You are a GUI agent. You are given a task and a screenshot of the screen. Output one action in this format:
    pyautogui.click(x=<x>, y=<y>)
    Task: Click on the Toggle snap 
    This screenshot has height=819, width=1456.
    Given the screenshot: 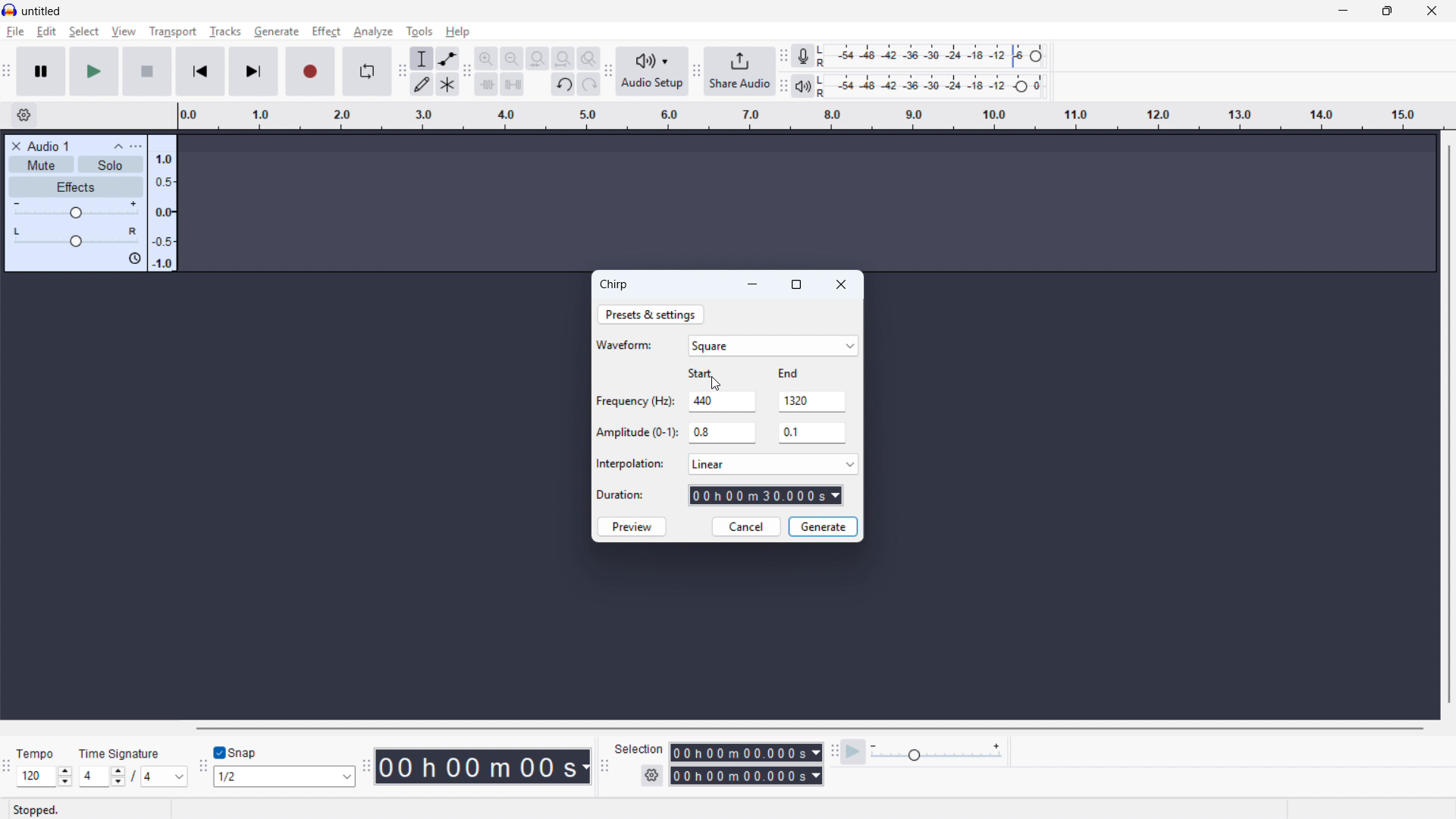 What is the action you would take?
    pyautogui.click(x=240, y=752)
    